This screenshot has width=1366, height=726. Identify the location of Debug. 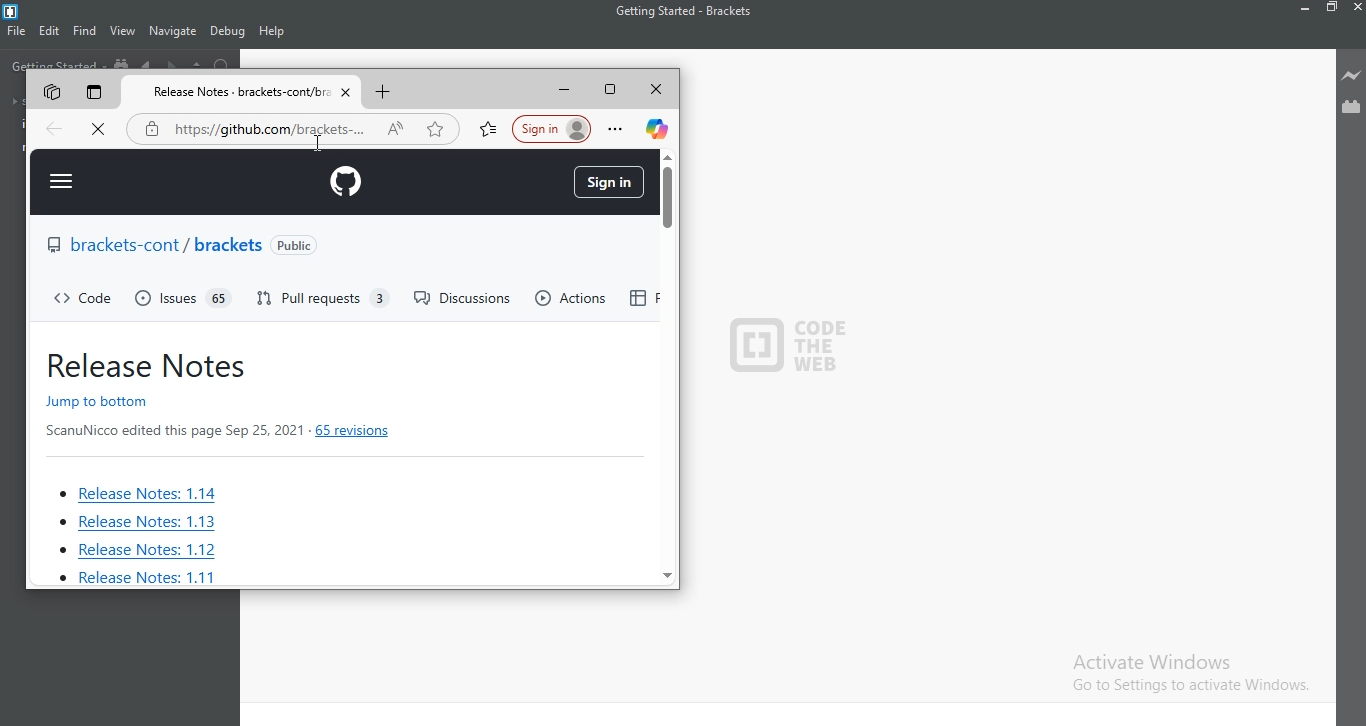
(228, 32).